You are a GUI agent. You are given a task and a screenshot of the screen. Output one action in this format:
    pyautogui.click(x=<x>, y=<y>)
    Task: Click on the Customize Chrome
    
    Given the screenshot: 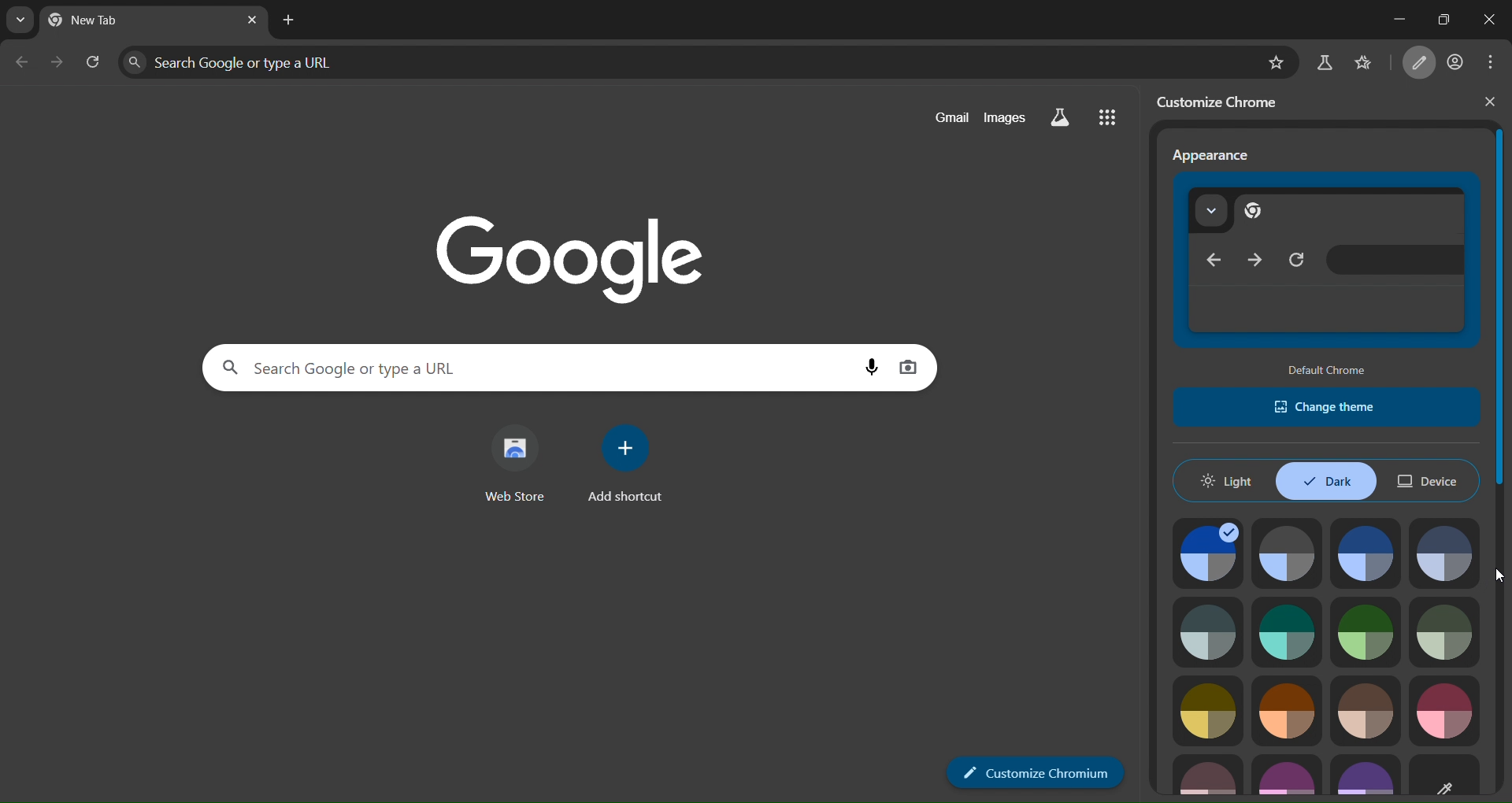 What is the action you would take?
    pyautogui.click(x=1034, y=772)
    